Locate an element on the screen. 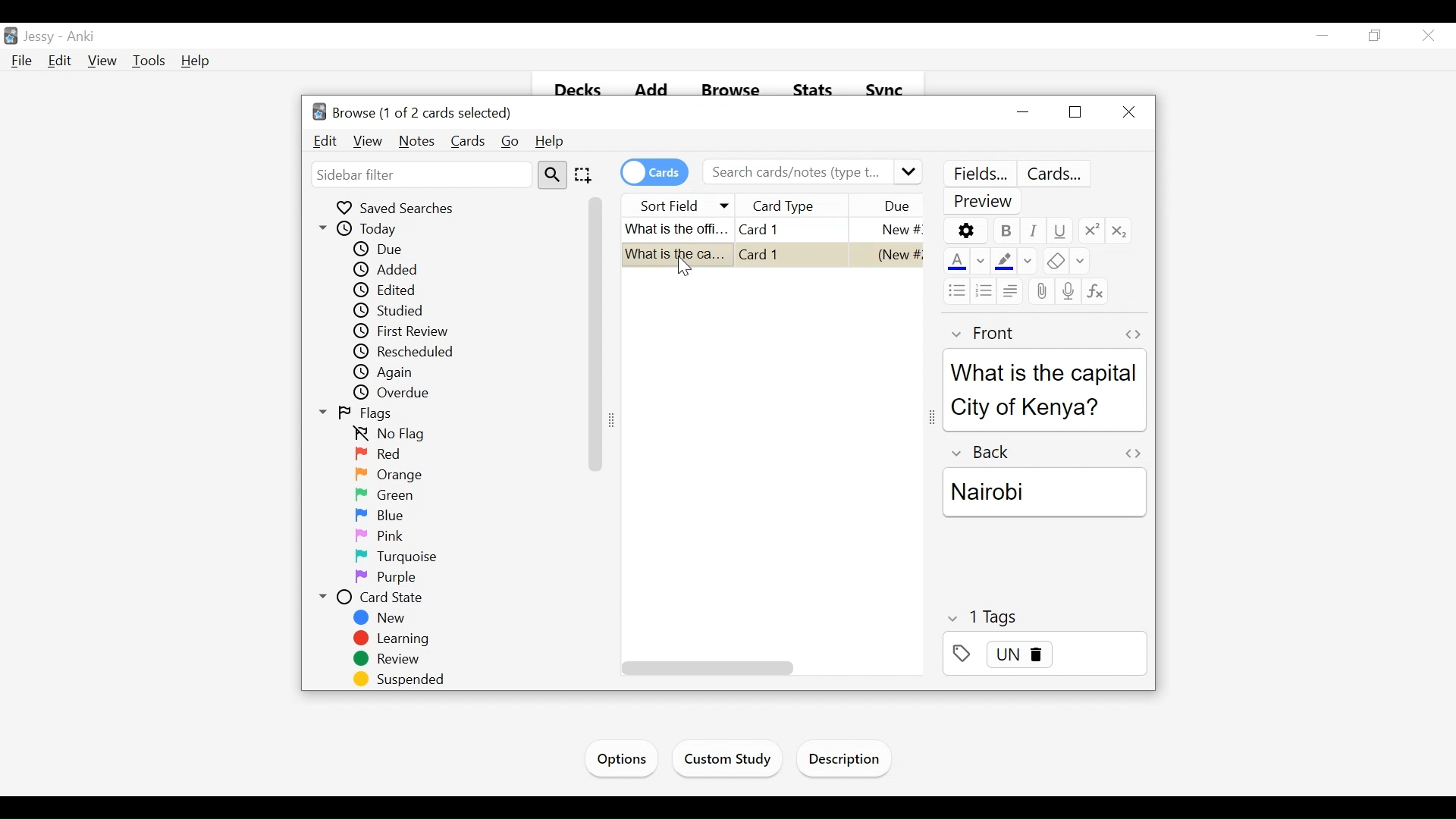  Restore is located at coordinates (1073, 113).